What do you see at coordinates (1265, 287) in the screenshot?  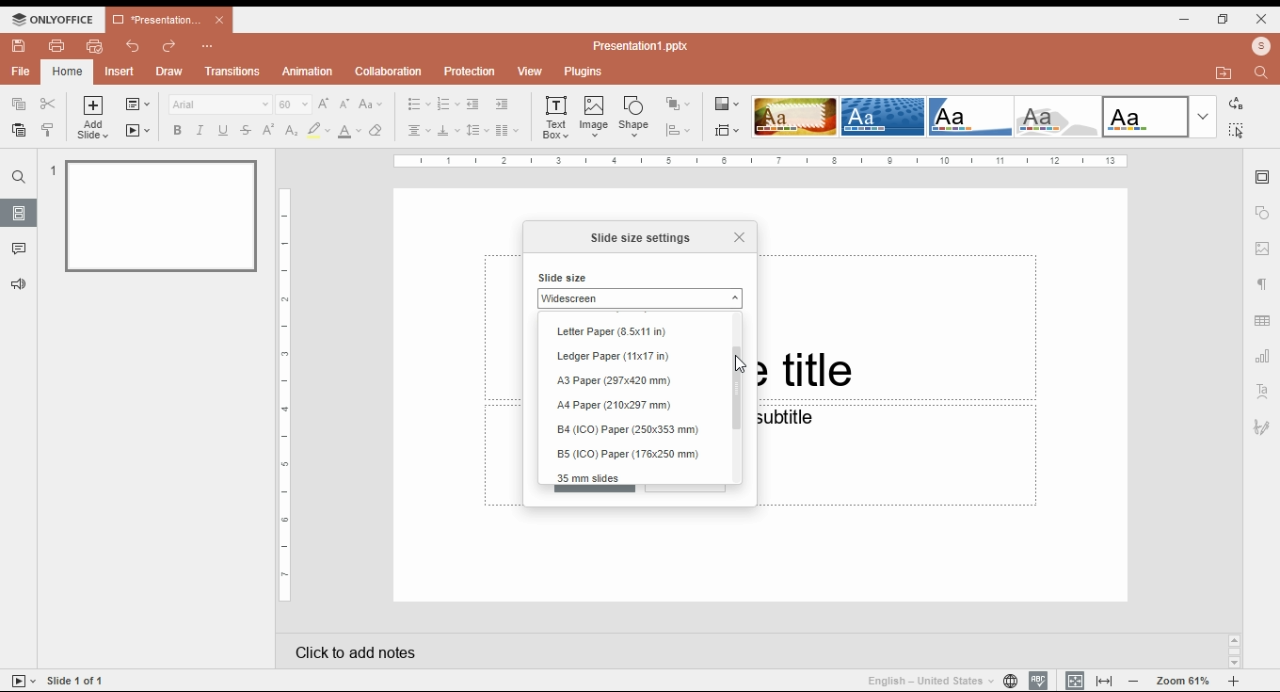 I see `paragraph settings` at bounding box center [1265, 287].